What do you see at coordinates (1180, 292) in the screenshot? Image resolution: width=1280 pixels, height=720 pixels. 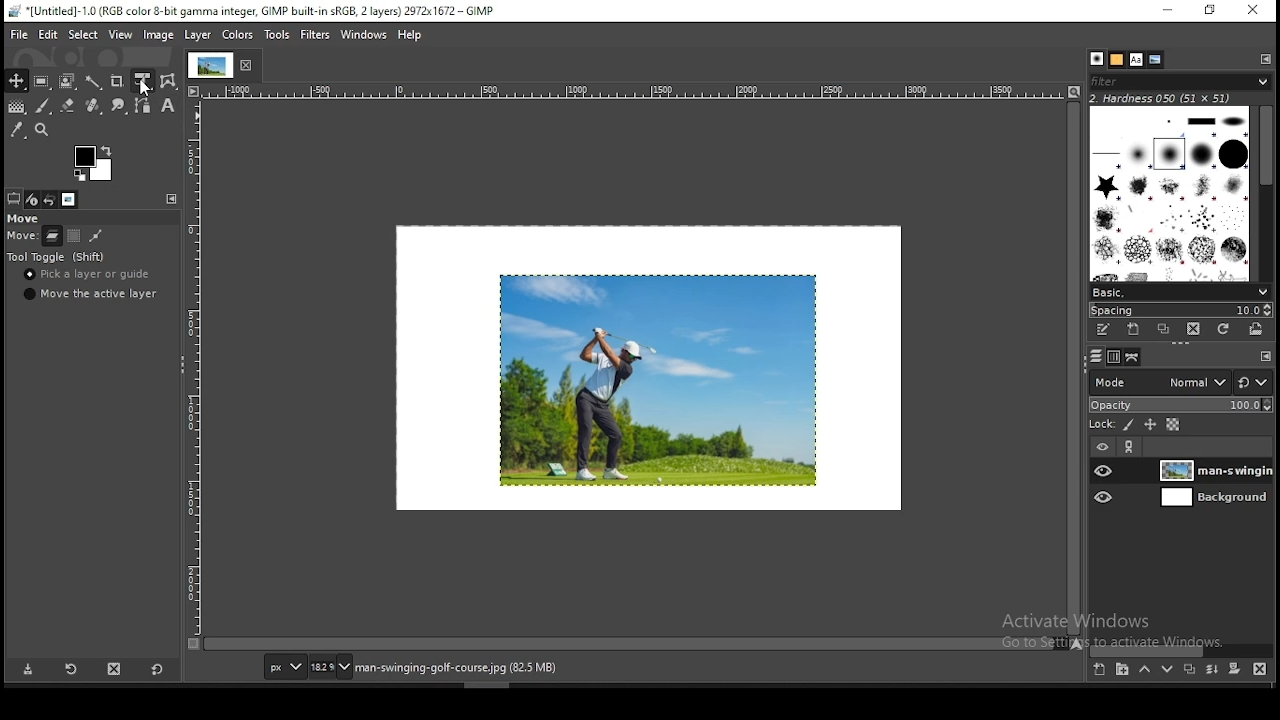 I see `brush presets` at bounding box center [1180, 292].